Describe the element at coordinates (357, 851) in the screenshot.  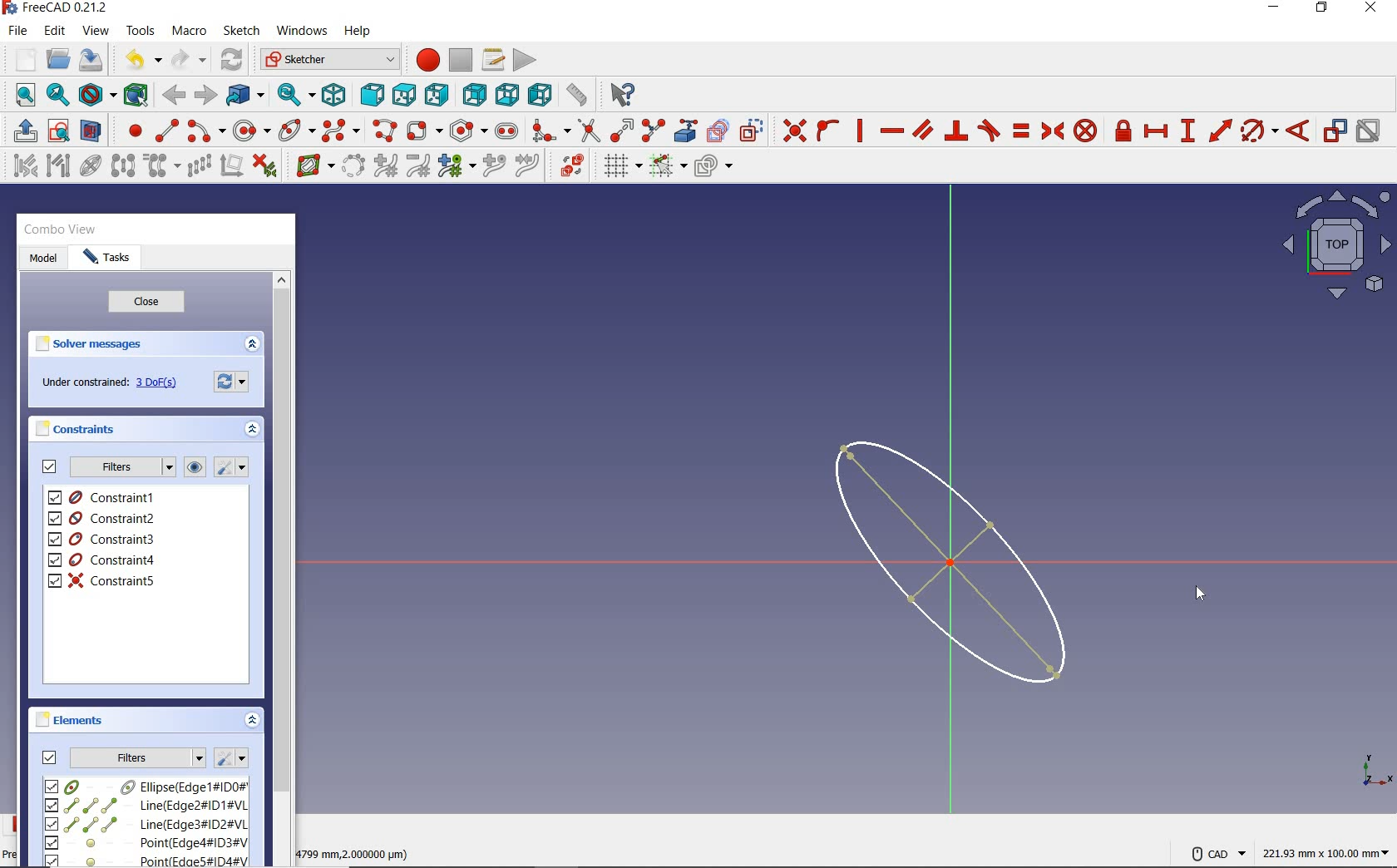
I see `cursor coordinates` at that location.